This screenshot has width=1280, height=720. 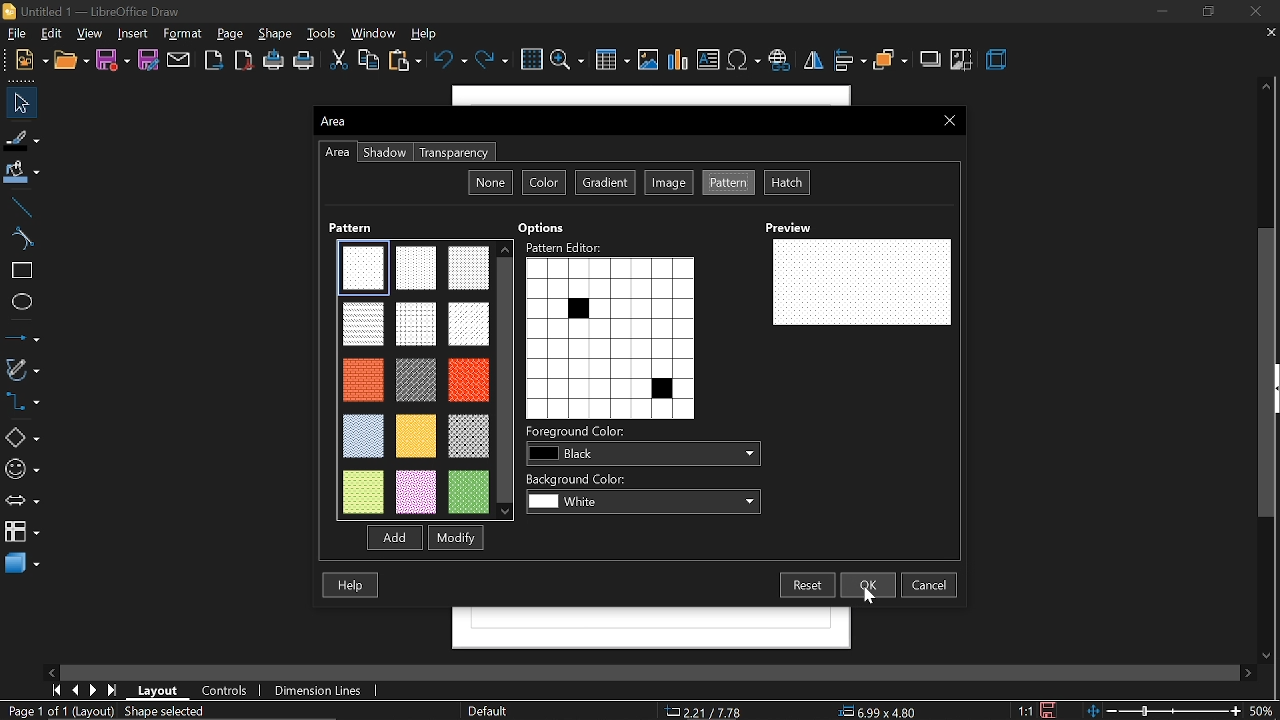 I want to click on 3d shapes, so click(x=20, y=562).